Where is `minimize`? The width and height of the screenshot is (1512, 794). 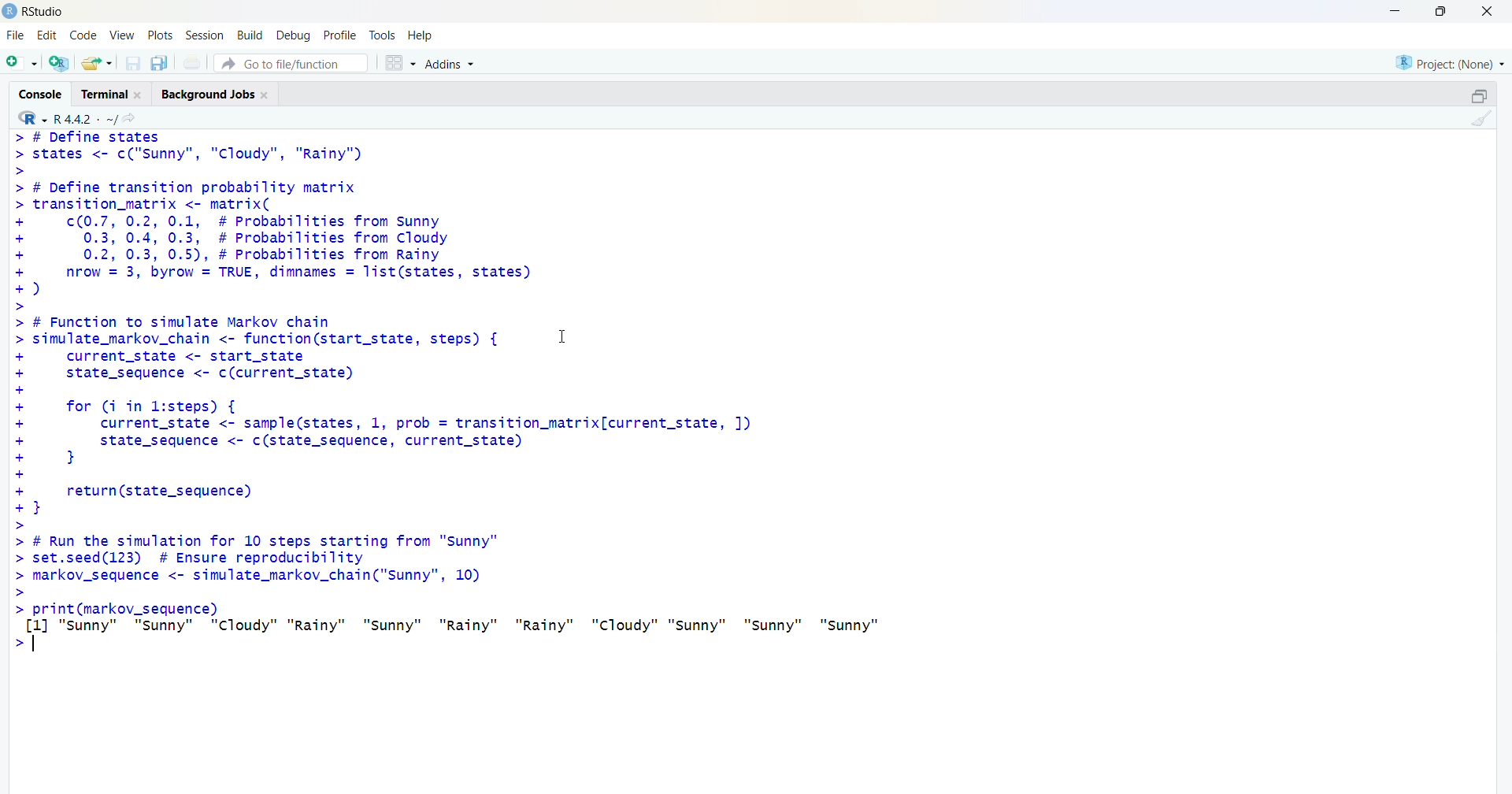 minimize is located at coordinates (1392, 11).